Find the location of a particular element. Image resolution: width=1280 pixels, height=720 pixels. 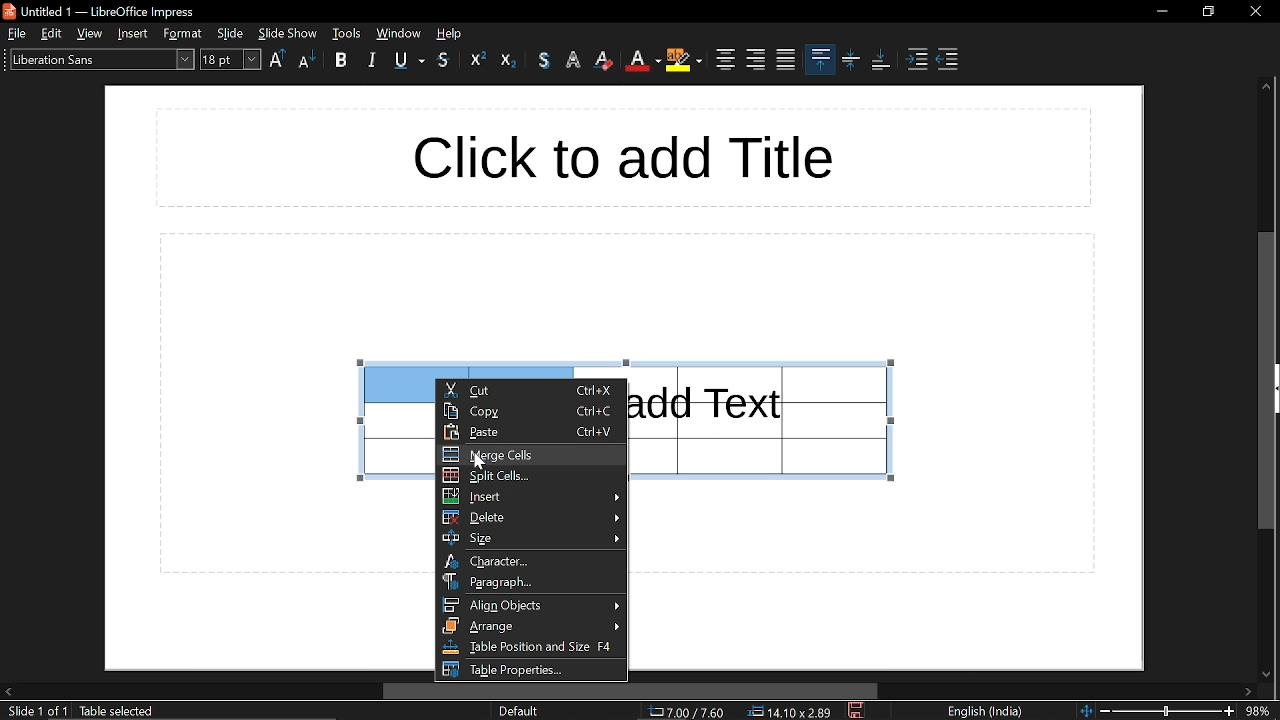

Table is located at coordinates (767, 420).